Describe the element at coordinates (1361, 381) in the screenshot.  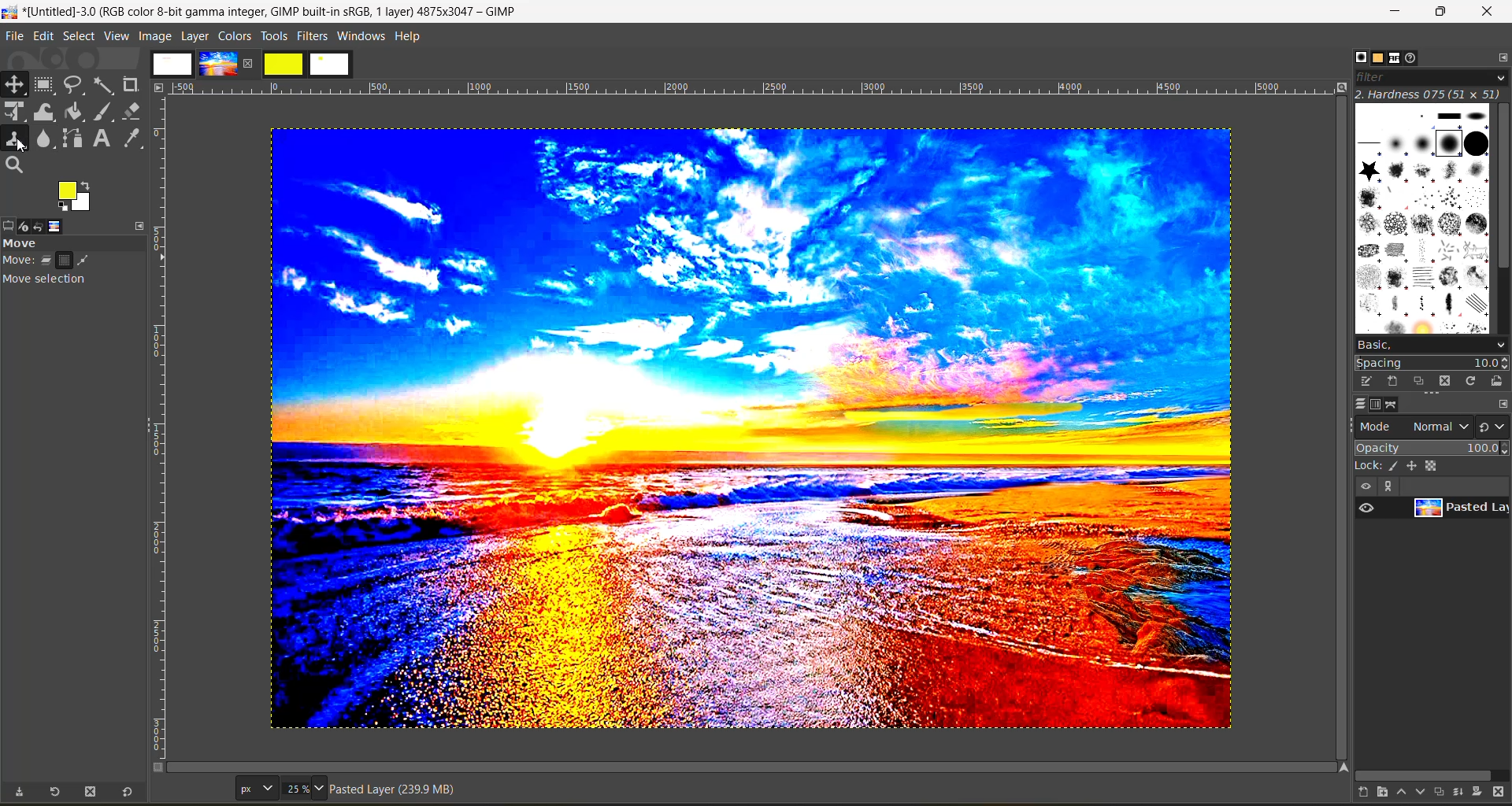
I see `edit this brush` at that location.